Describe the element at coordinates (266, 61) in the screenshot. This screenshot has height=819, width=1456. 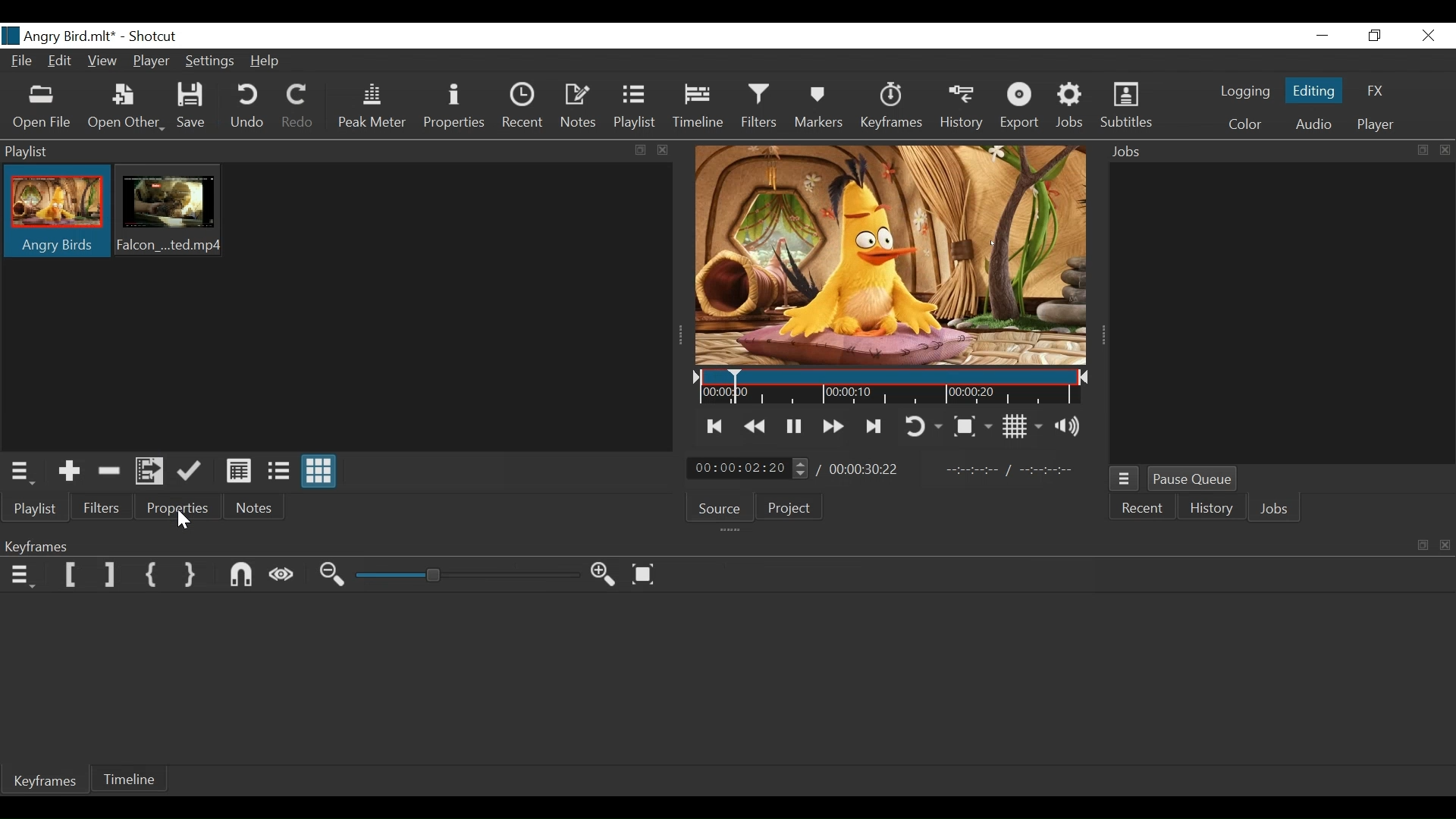
I see `Help` at that location.